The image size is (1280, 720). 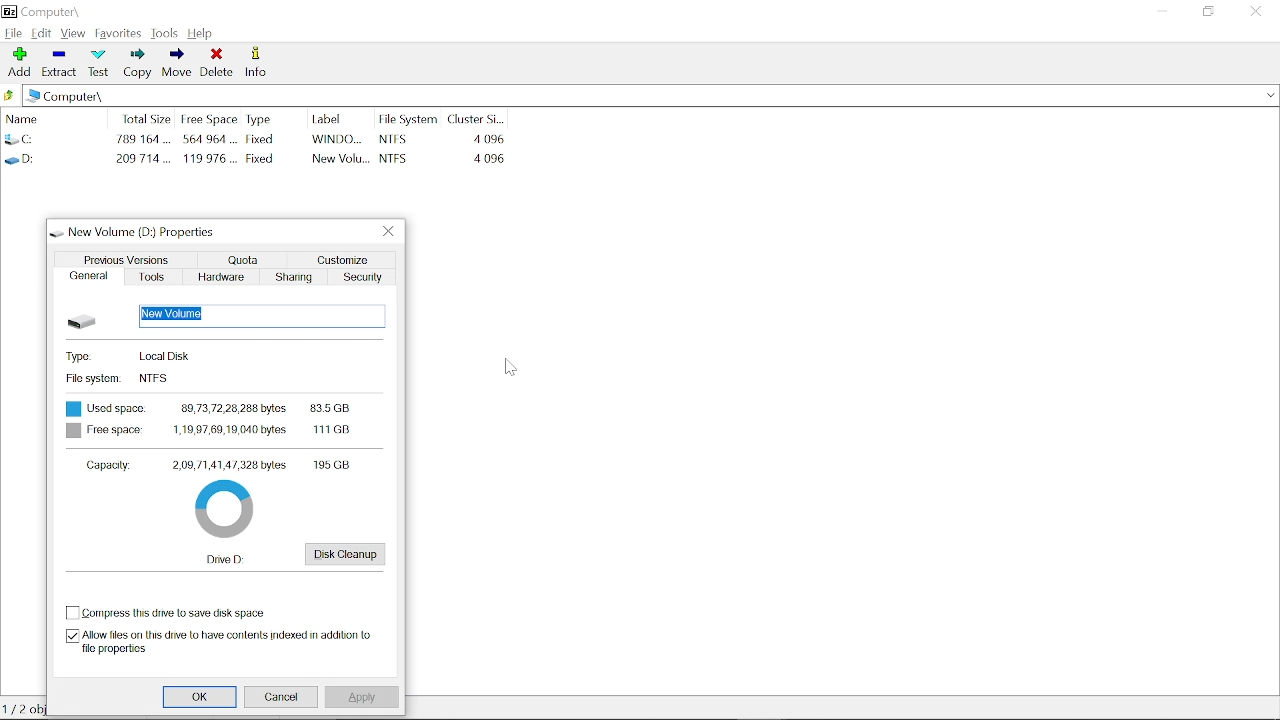 I want to click on sharing, so click(x=297, y=277).